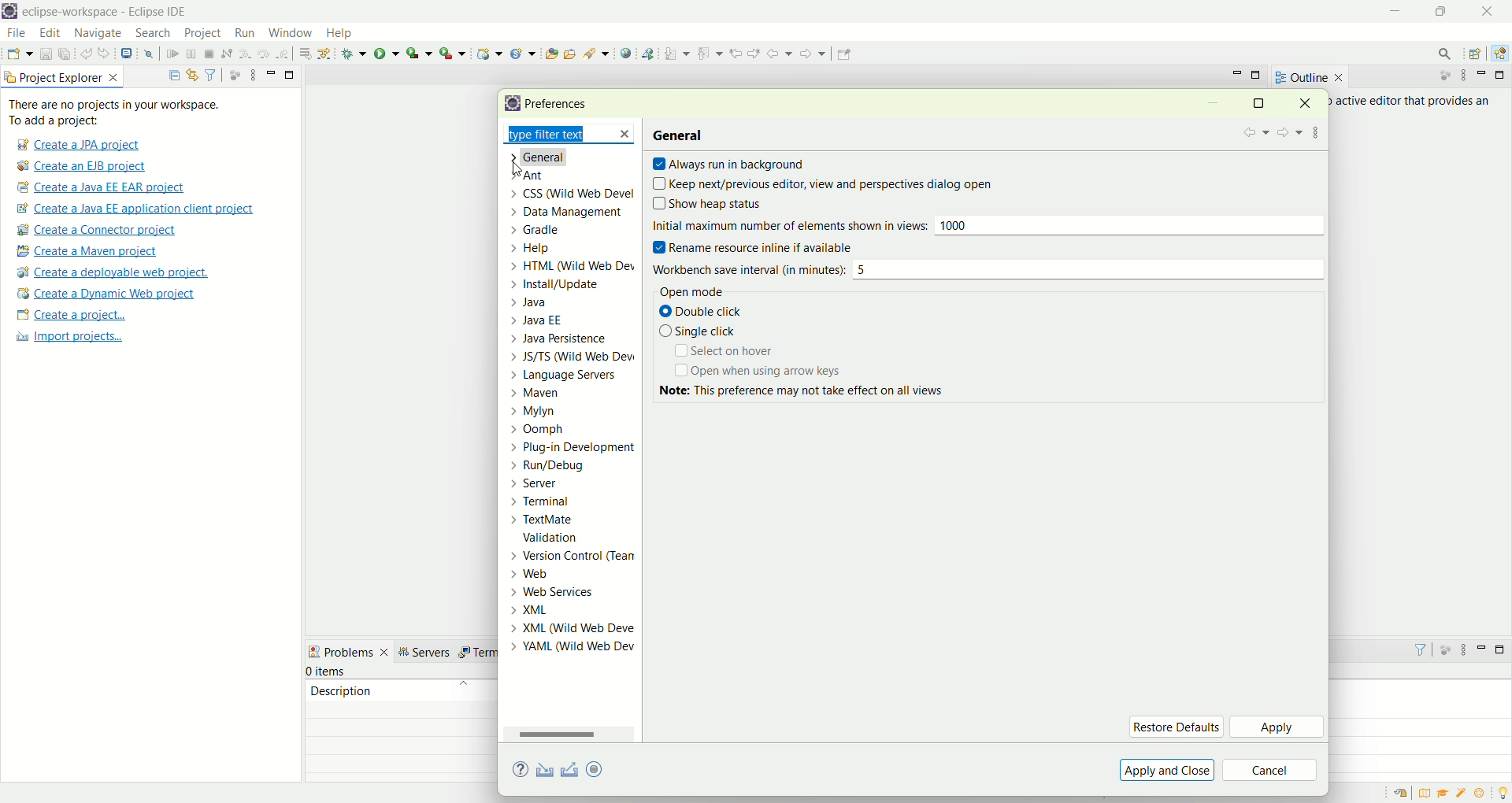  What do you see at coordinates (574, 266) in the screenshot?
I see `HTML` at bounding box center [574, 266].